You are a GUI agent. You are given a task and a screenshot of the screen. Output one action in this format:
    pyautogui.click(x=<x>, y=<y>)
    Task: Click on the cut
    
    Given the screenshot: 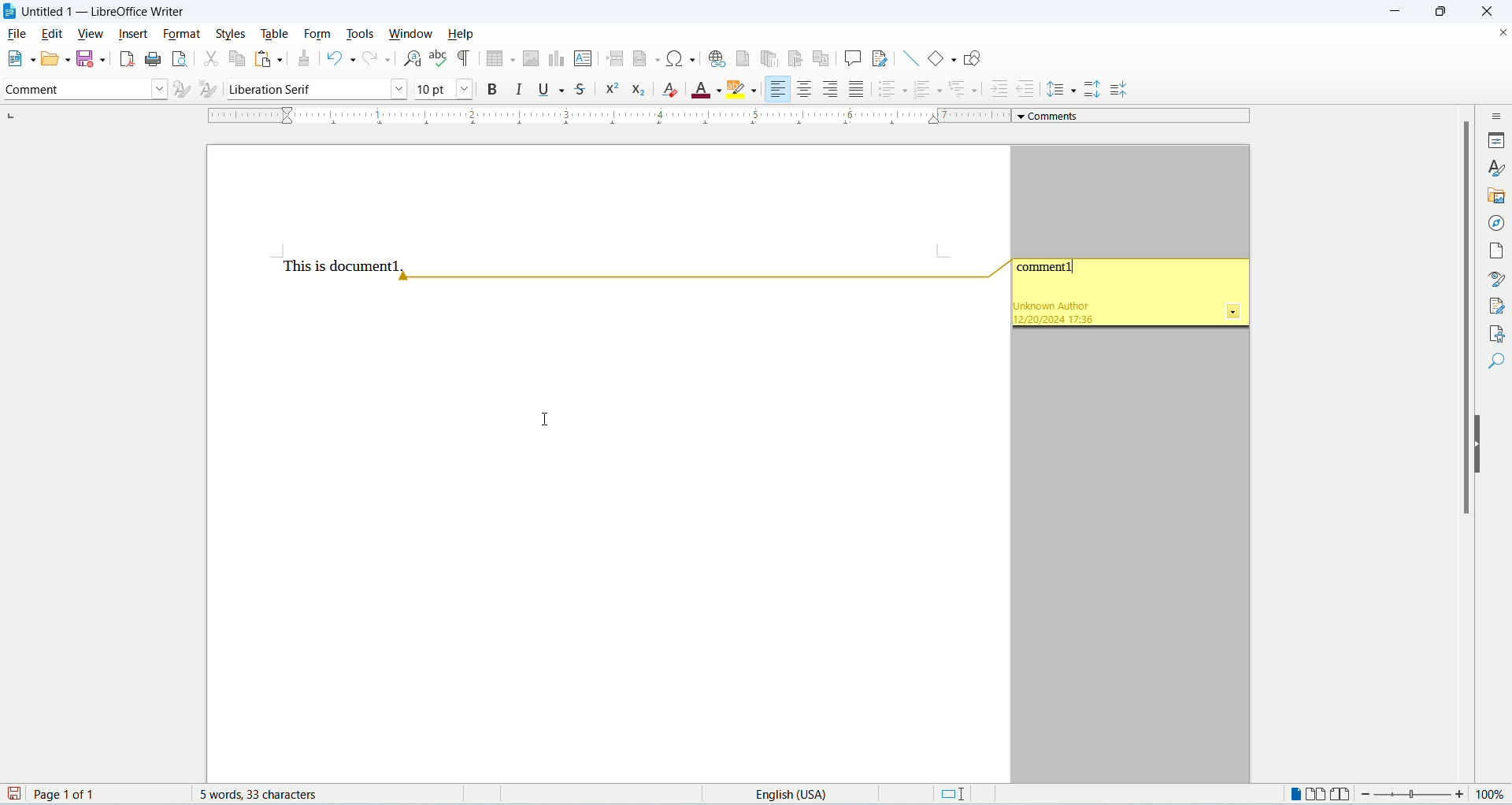 What is the action you would take?
    pyautogui.click(x=210, y=61)
    